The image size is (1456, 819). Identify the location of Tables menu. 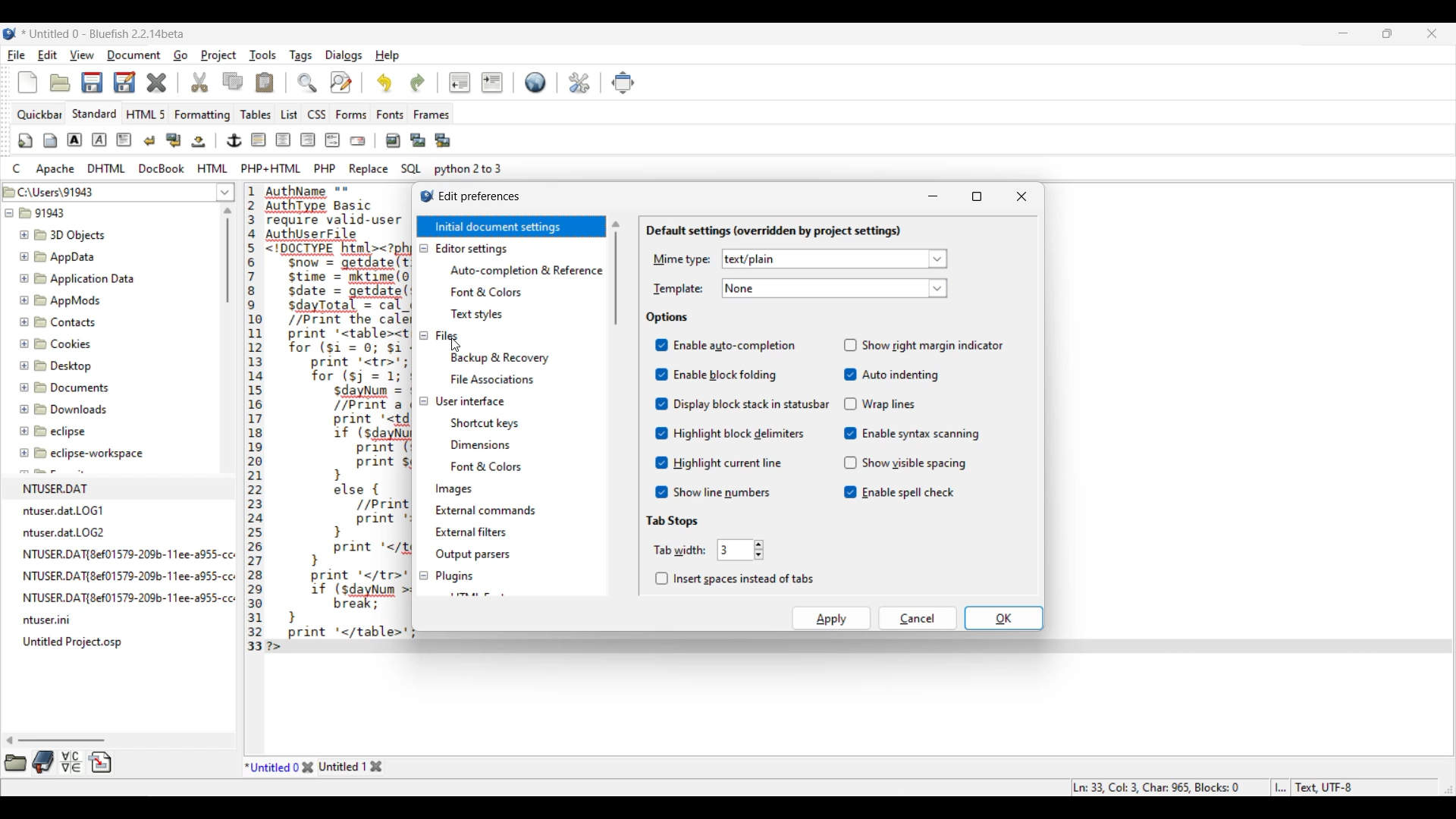
(256, 115).